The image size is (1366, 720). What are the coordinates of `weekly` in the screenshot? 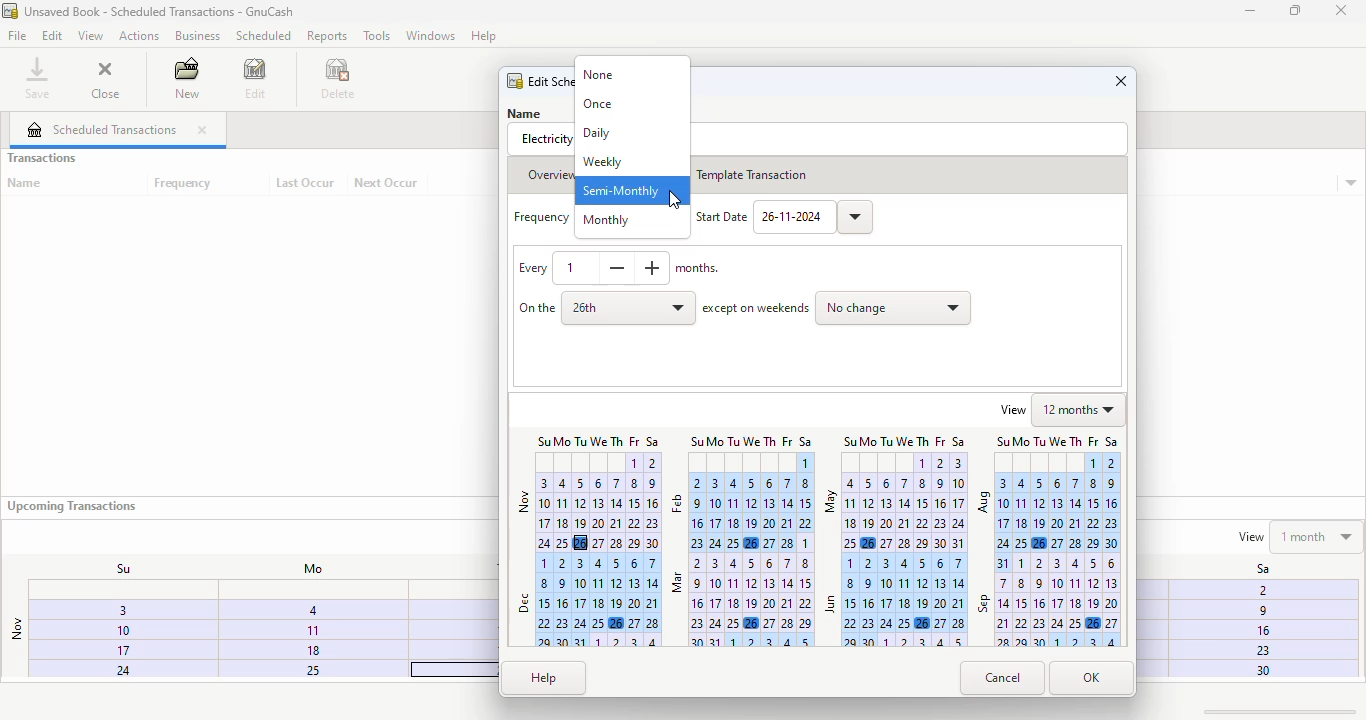 It's located at (604, 163).